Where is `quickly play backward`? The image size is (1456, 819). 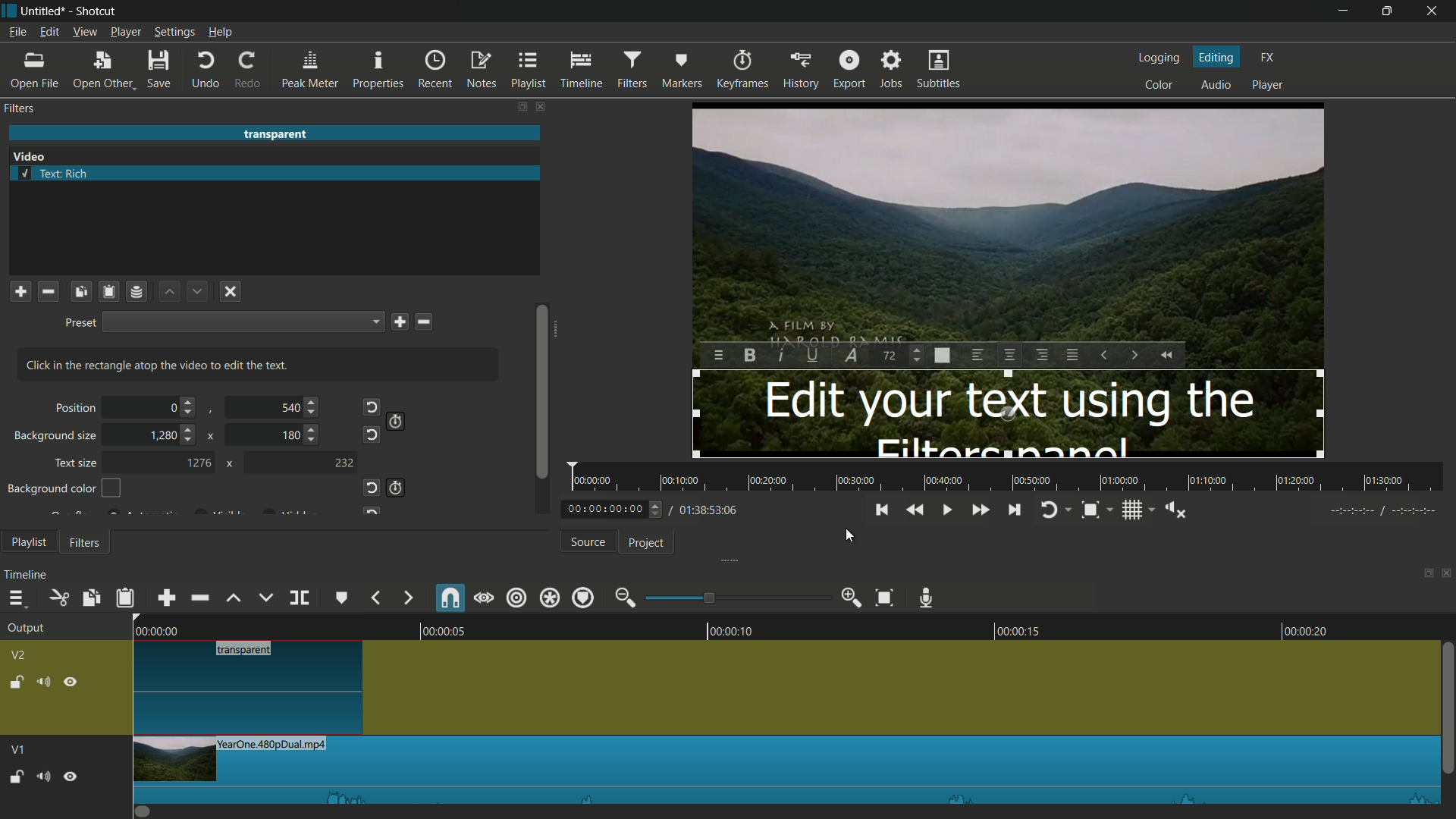 quickly play backward is located at coordinates (1167, 355).